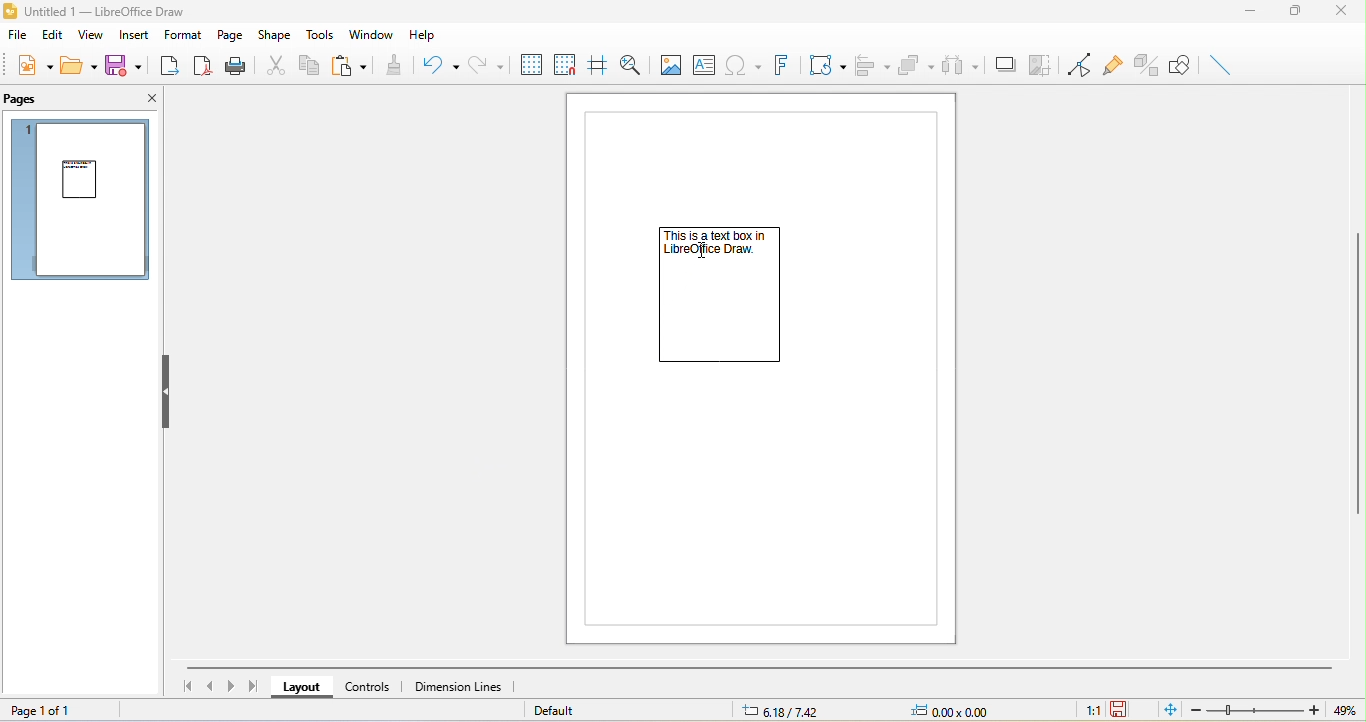  Describe the element at coordinates (137, 37) in the screenshot. I see `insert` at that location.